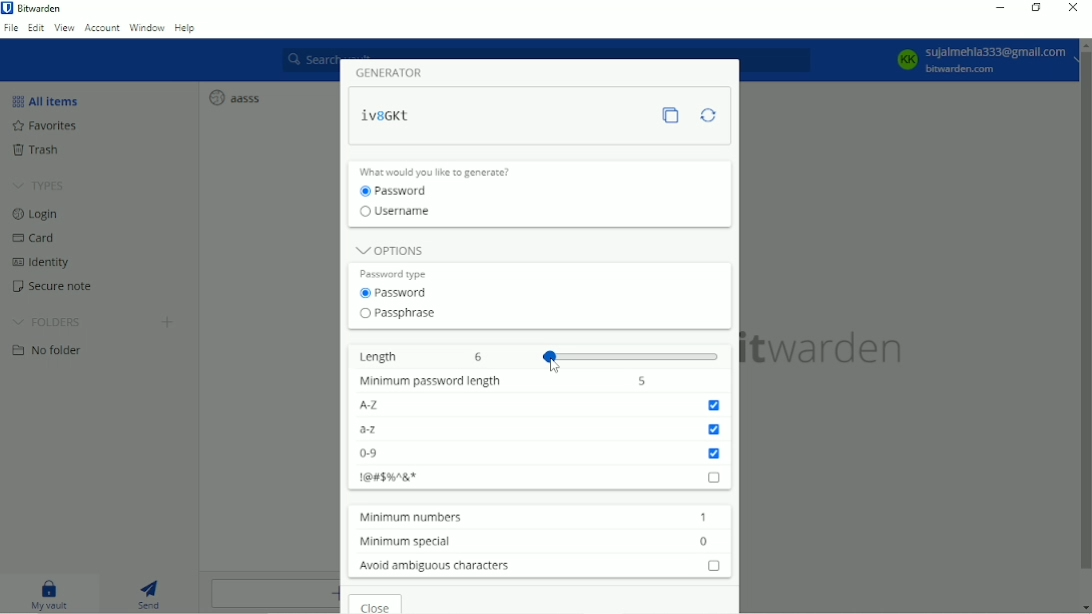  What do you see at coordinates (399, 272) in the screenshot?
I see `Password type` at bounding box center [399, 272].